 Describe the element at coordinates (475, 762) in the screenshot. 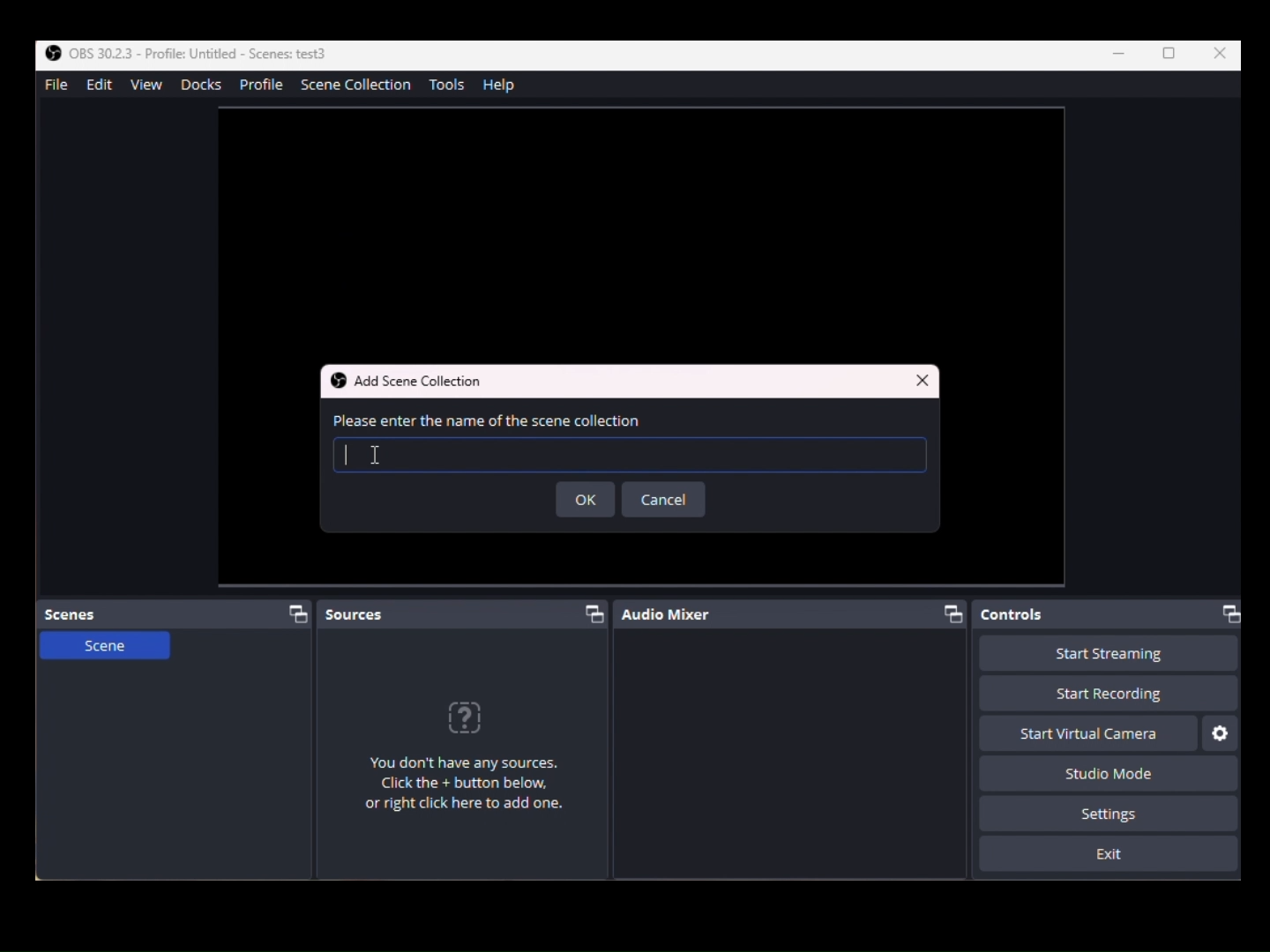

I see `Any Sources` at that location.